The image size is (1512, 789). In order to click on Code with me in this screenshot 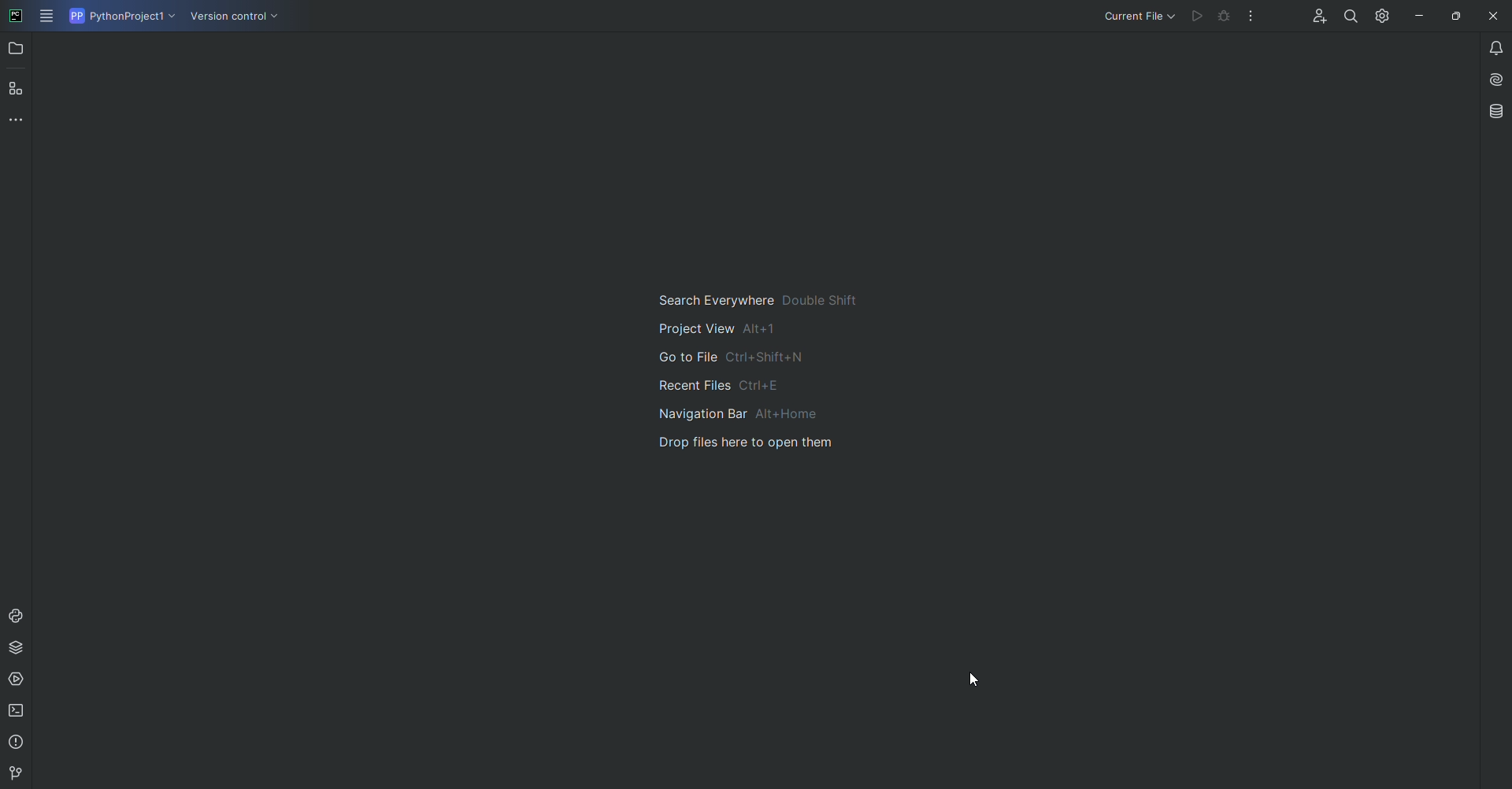, I will do `click(1316, 17)`.